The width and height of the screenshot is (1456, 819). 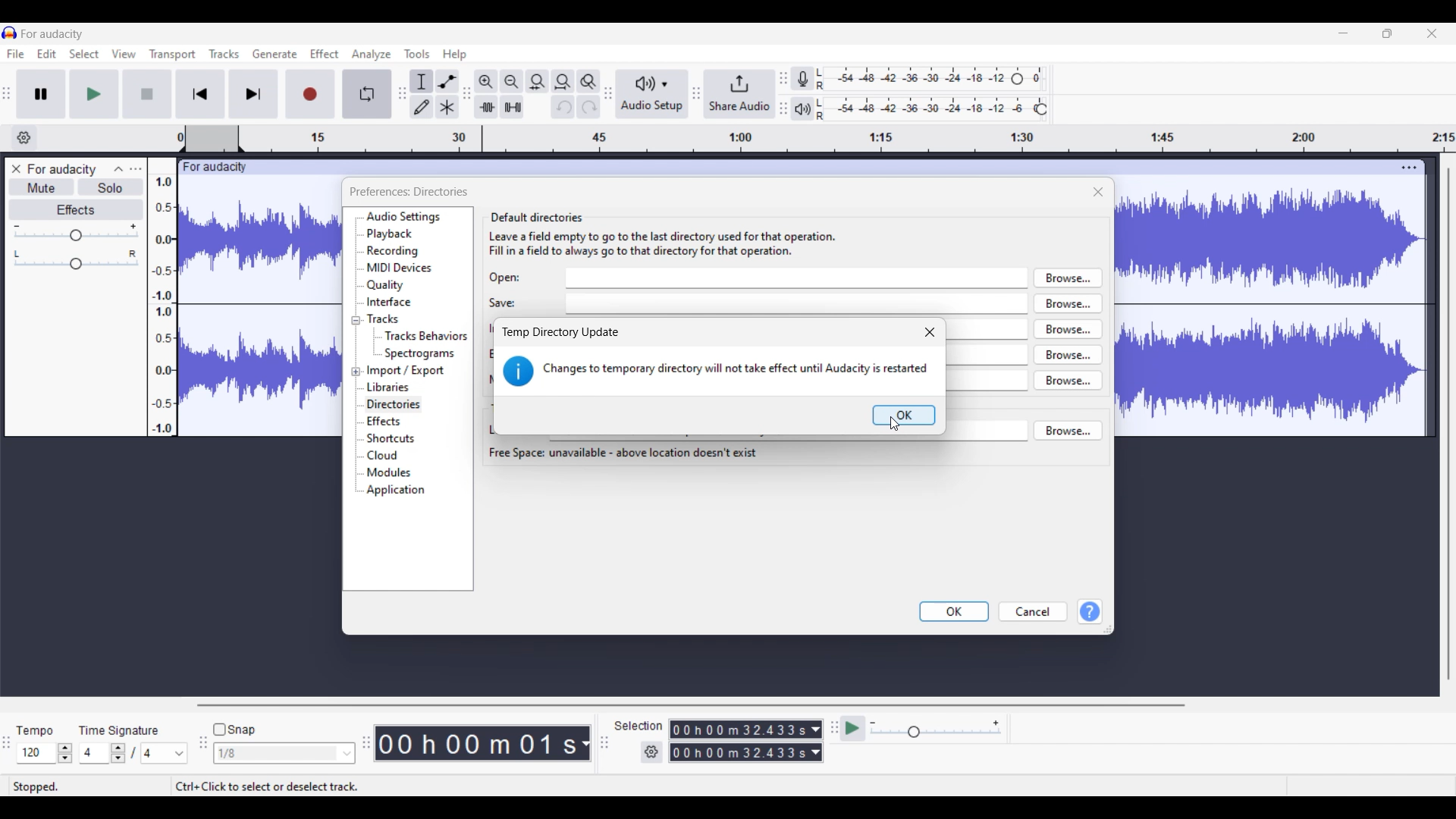 What do you see at coordinates (798, 278) in the screenshot?
I see `open input box` at bounding box center [798, 278].